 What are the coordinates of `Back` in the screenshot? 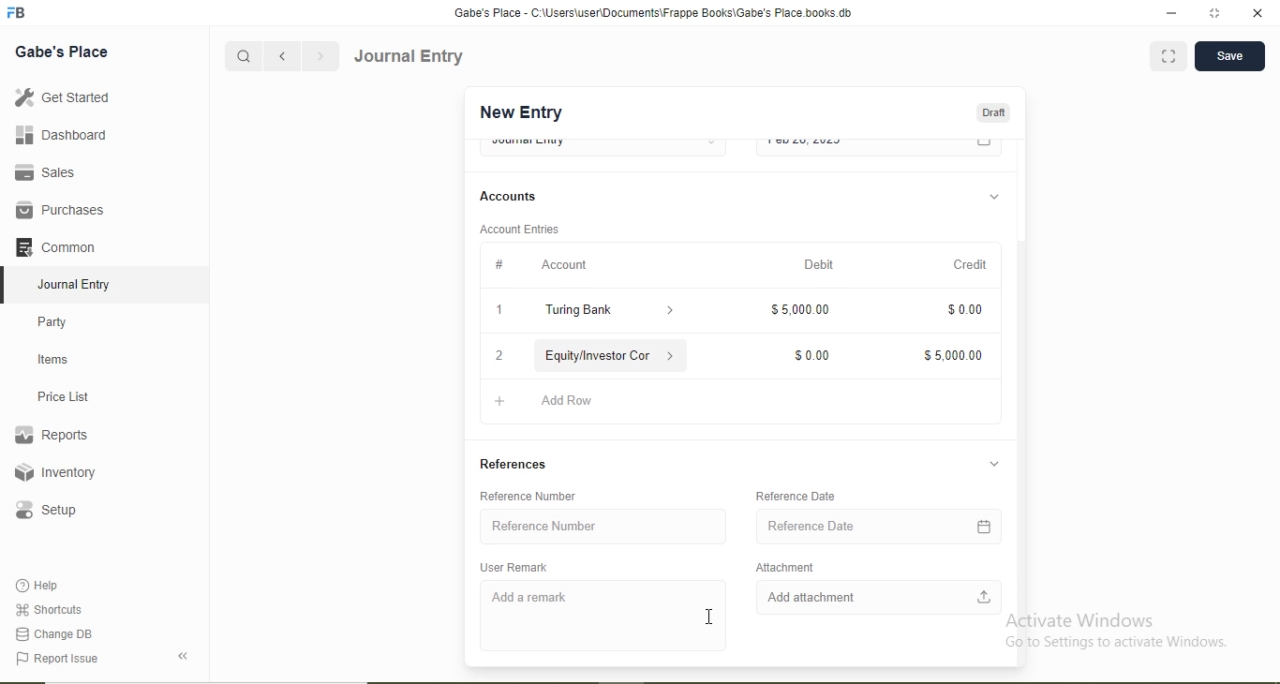 It's located at (182, 656).